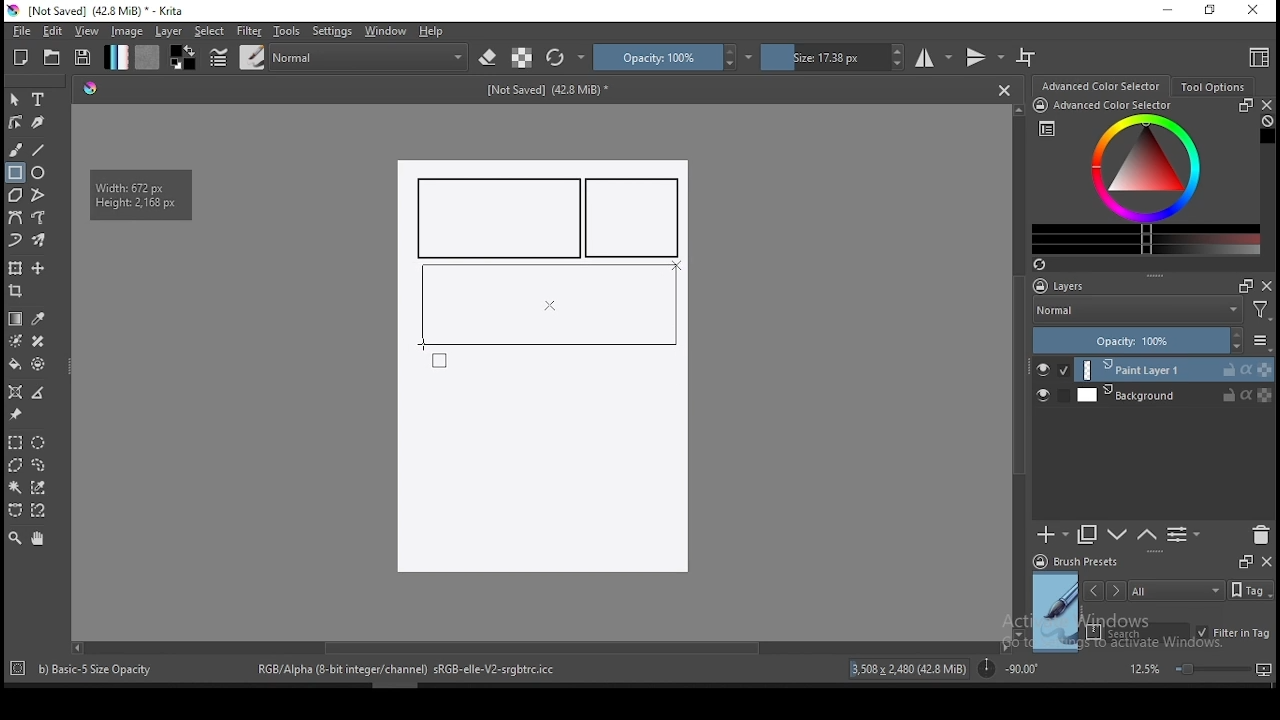 Image resolution: width=1280 pixels, height=720 pixels. What do you see at coordinates (99, 11) in the screenshot?
I see `icon and file name` at bounding box center [99, 11].